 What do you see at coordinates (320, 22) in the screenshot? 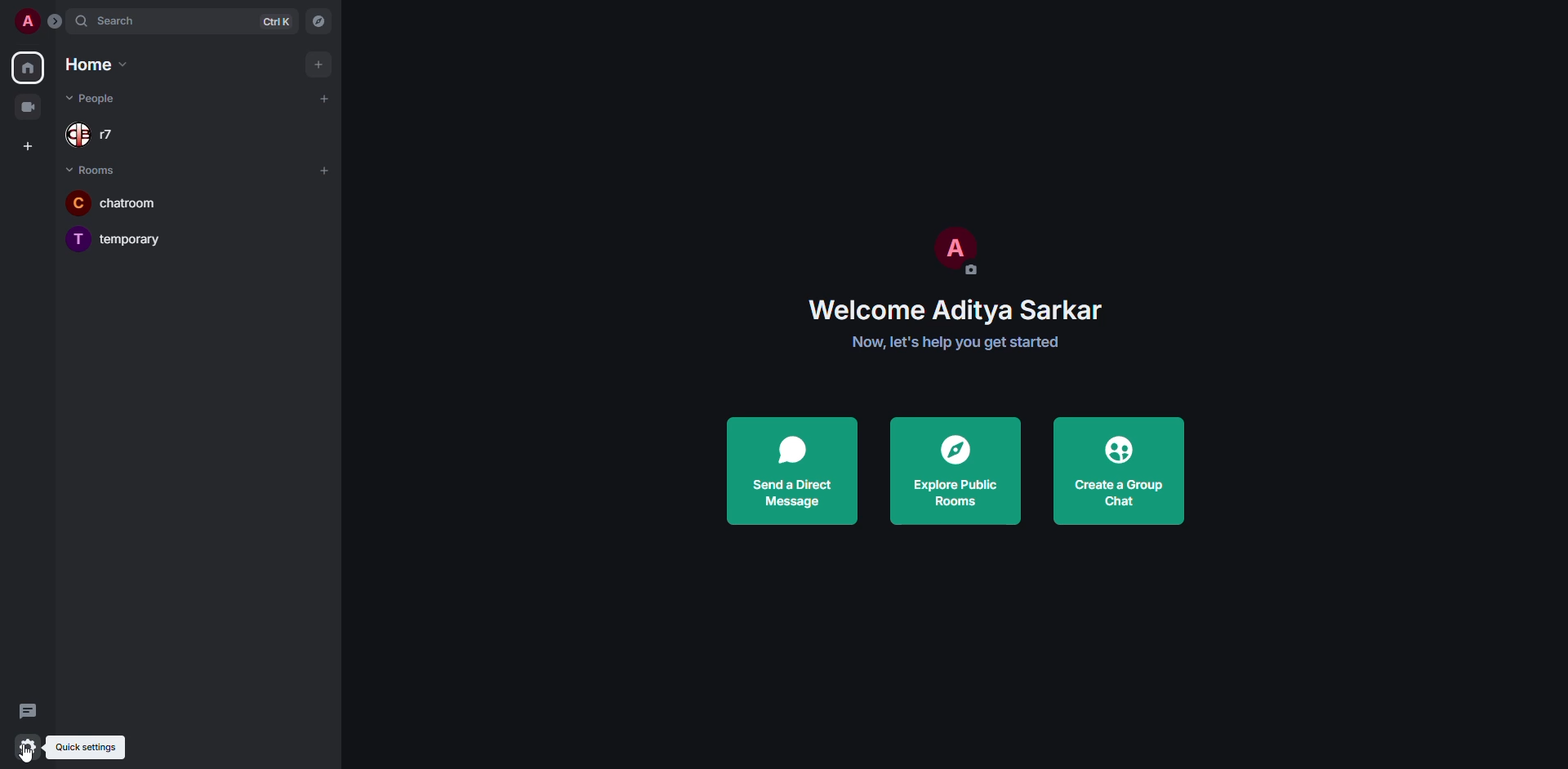
I see `navigator` at bounding box center [320, 22].